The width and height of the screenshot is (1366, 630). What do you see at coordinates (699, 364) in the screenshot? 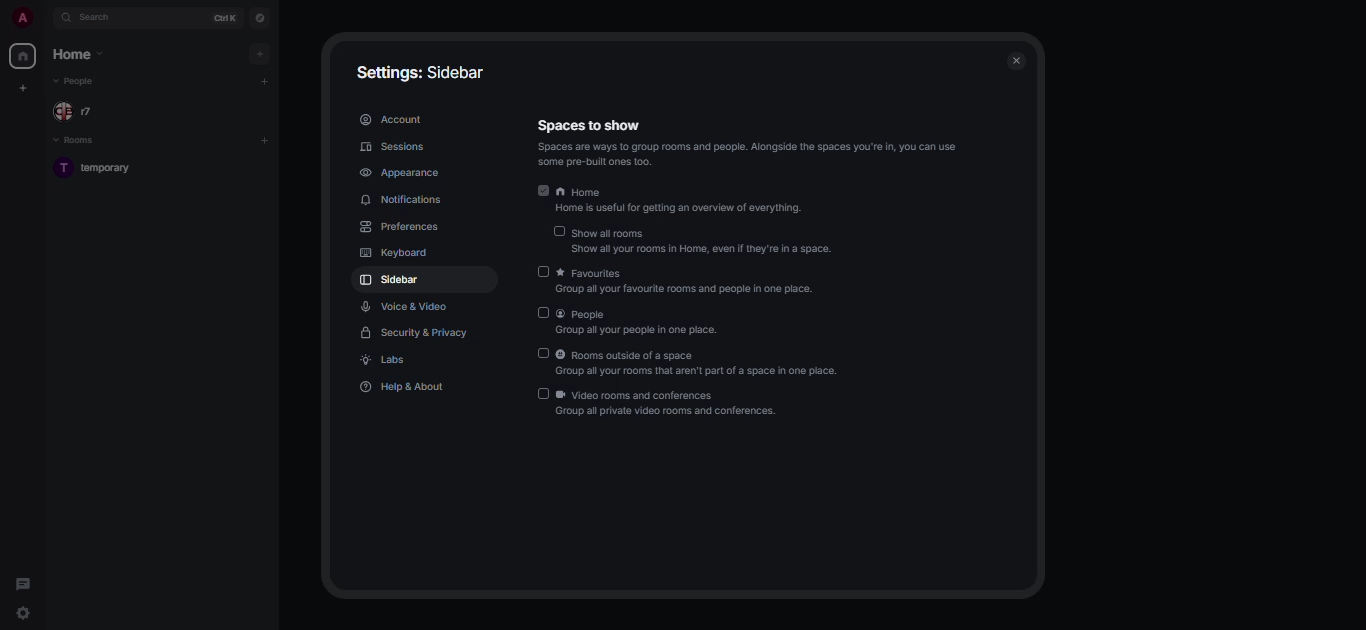
I see `rooms outside of a space` at bounding box center [699, 364].